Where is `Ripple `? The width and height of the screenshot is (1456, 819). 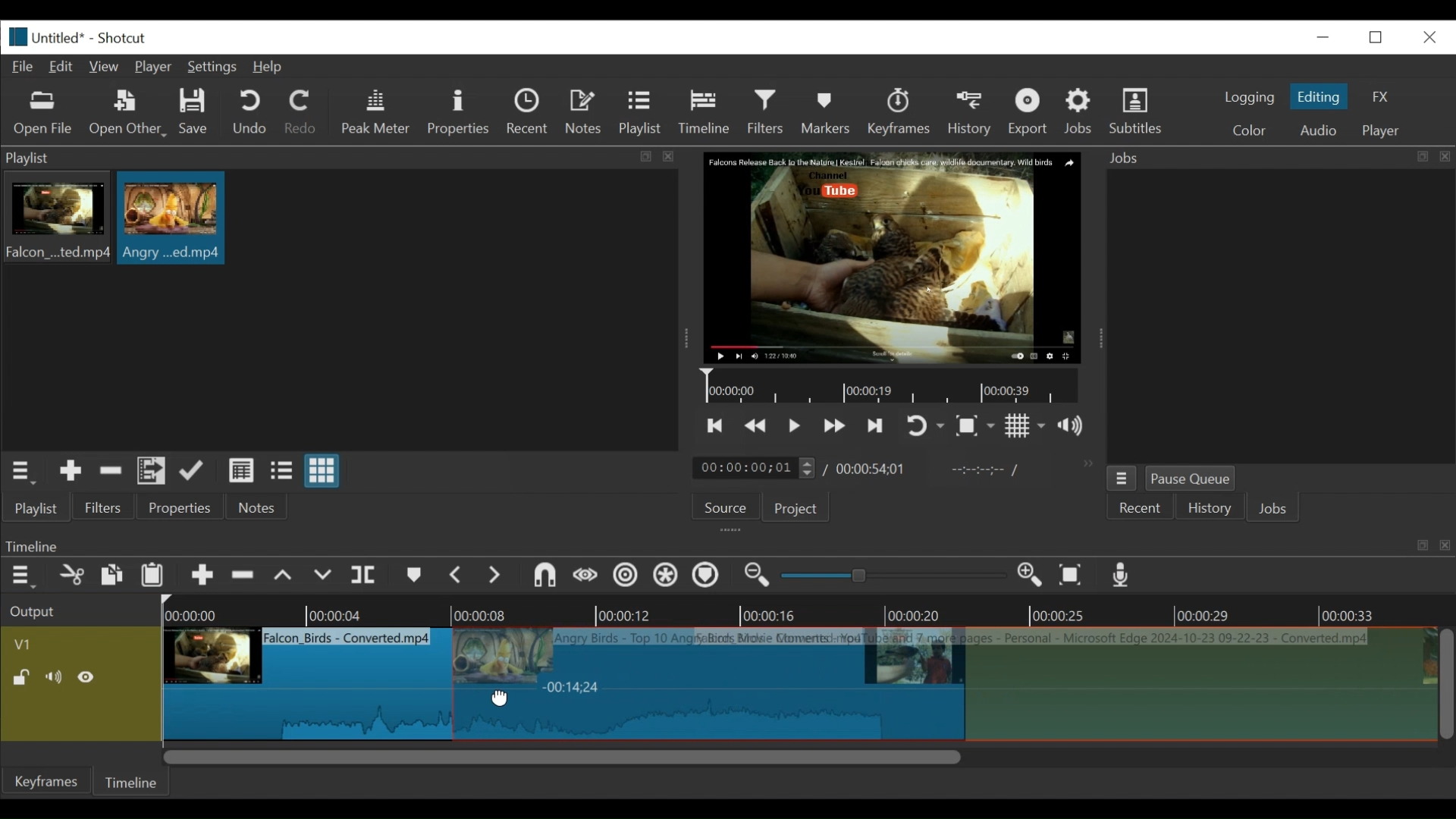
Ripple  is located at coordinates (626, 577).